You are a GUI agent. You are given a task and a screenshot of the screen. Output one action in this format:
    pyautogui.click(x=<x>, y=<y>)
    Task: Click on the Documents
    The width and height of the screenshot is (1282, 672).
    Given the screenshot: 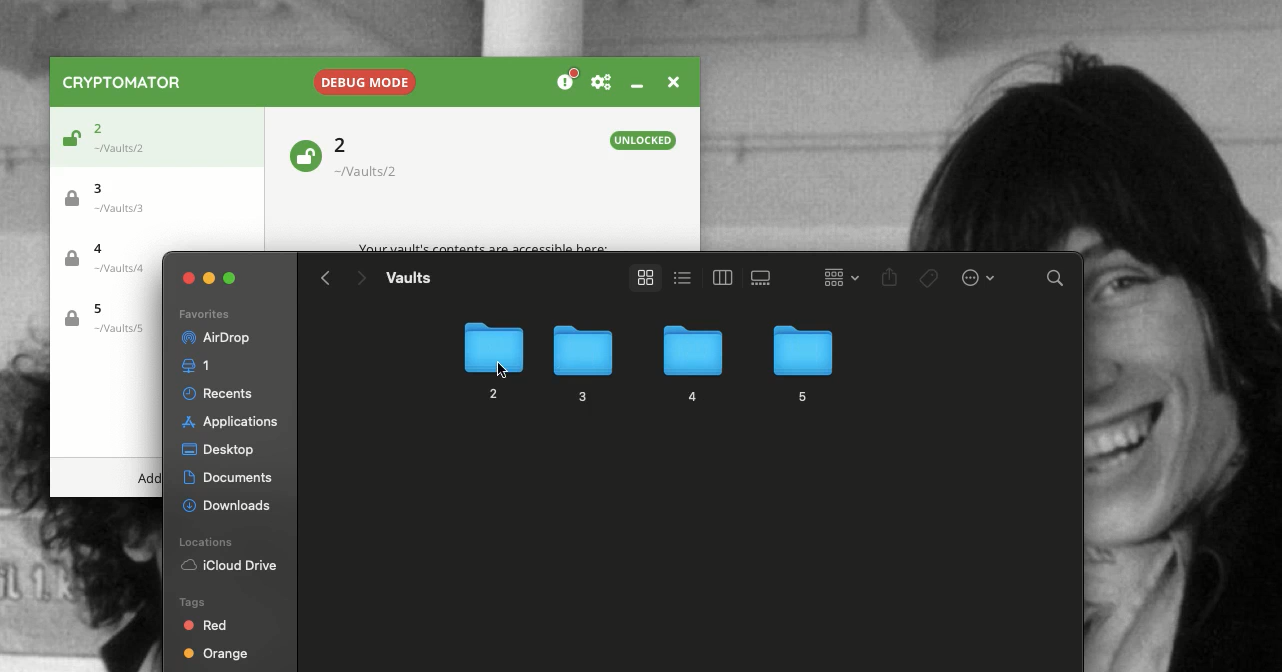 What is the action you would take?
    pyautogui.click(x=231, y=478)
    